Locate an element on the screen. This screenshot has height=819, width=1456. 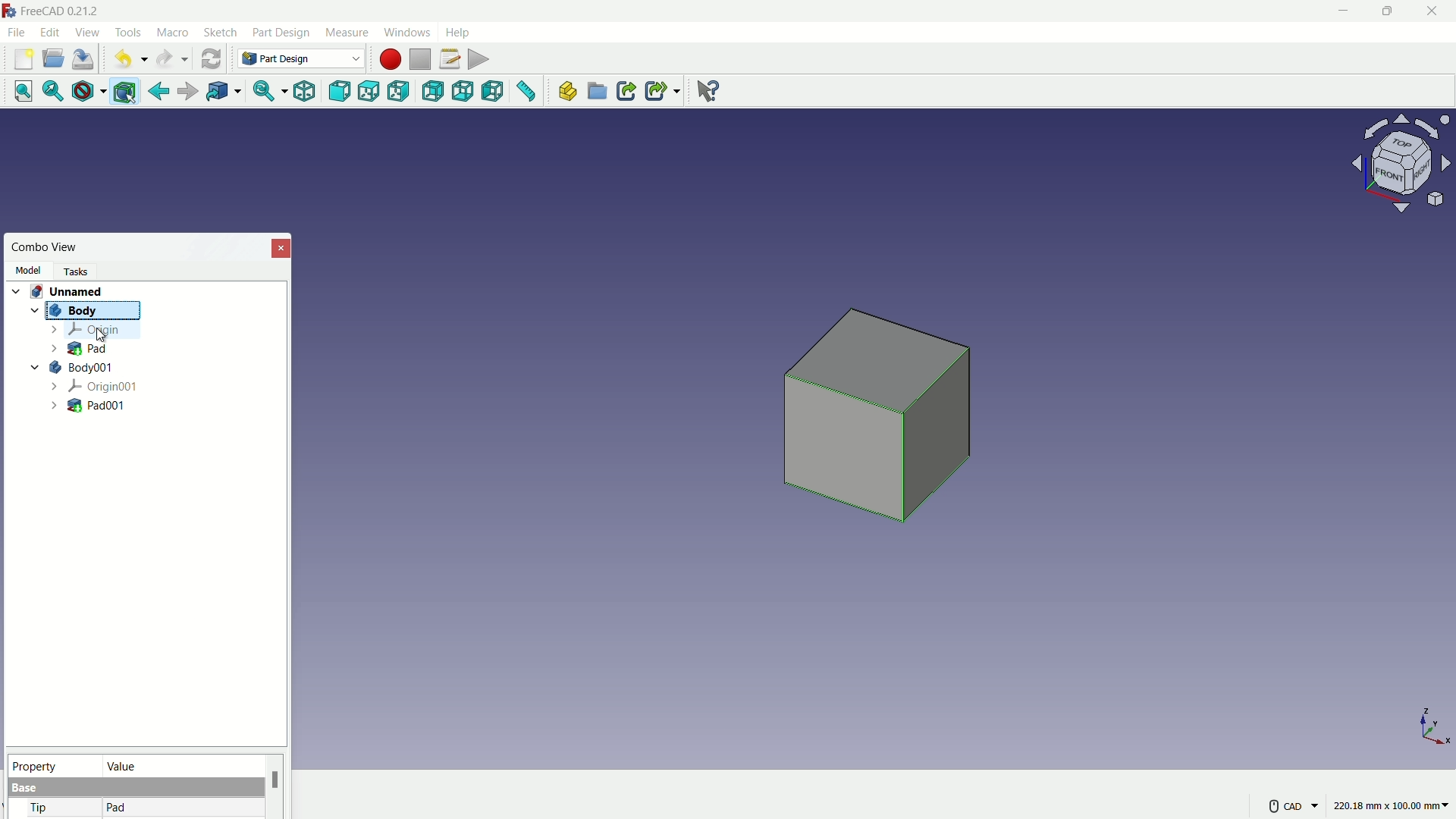
Body is located at coordinates (80, 311).